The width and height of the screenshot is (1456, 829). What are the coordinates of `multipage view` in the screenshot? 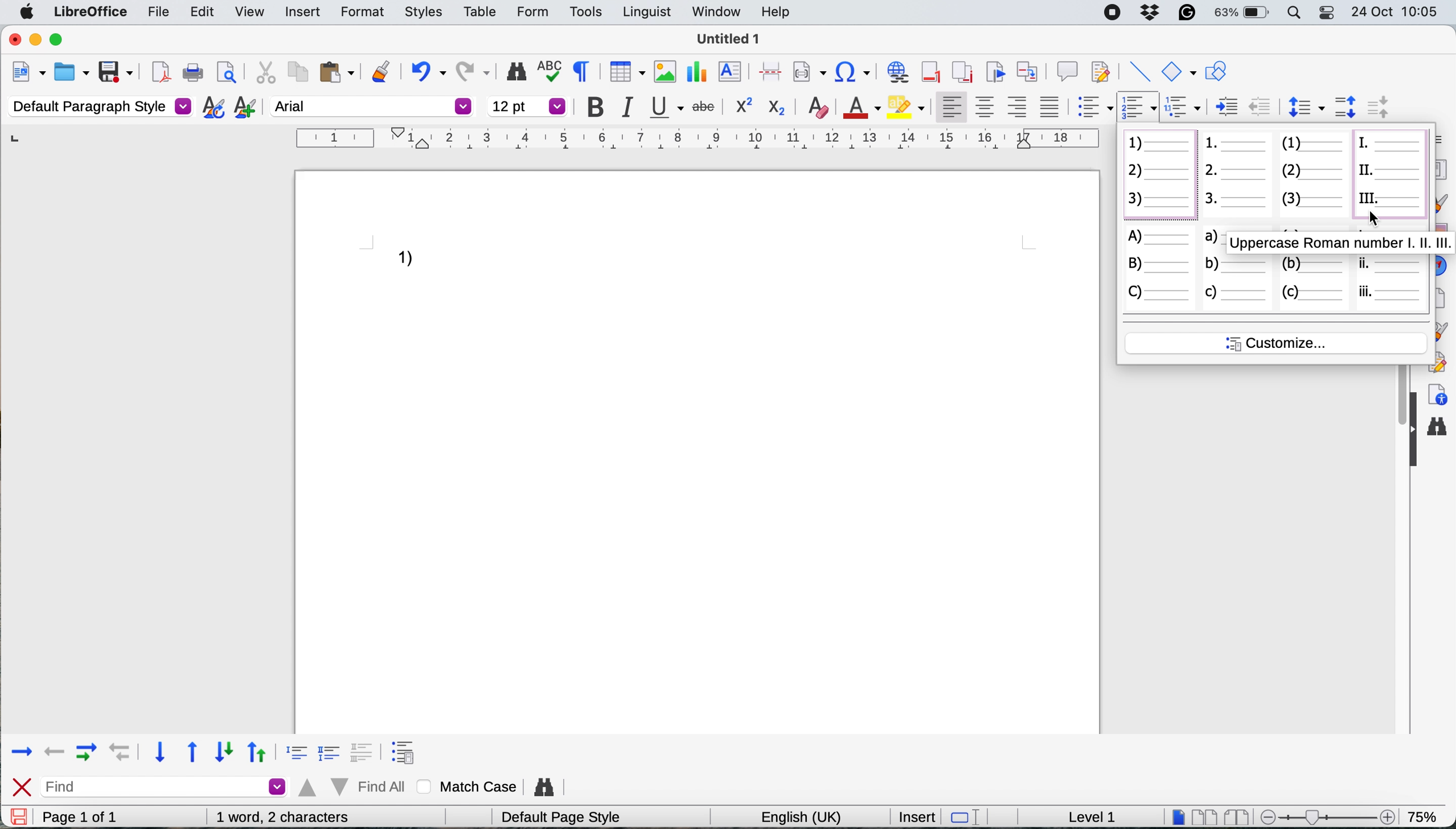 It's located at (1206, 817).